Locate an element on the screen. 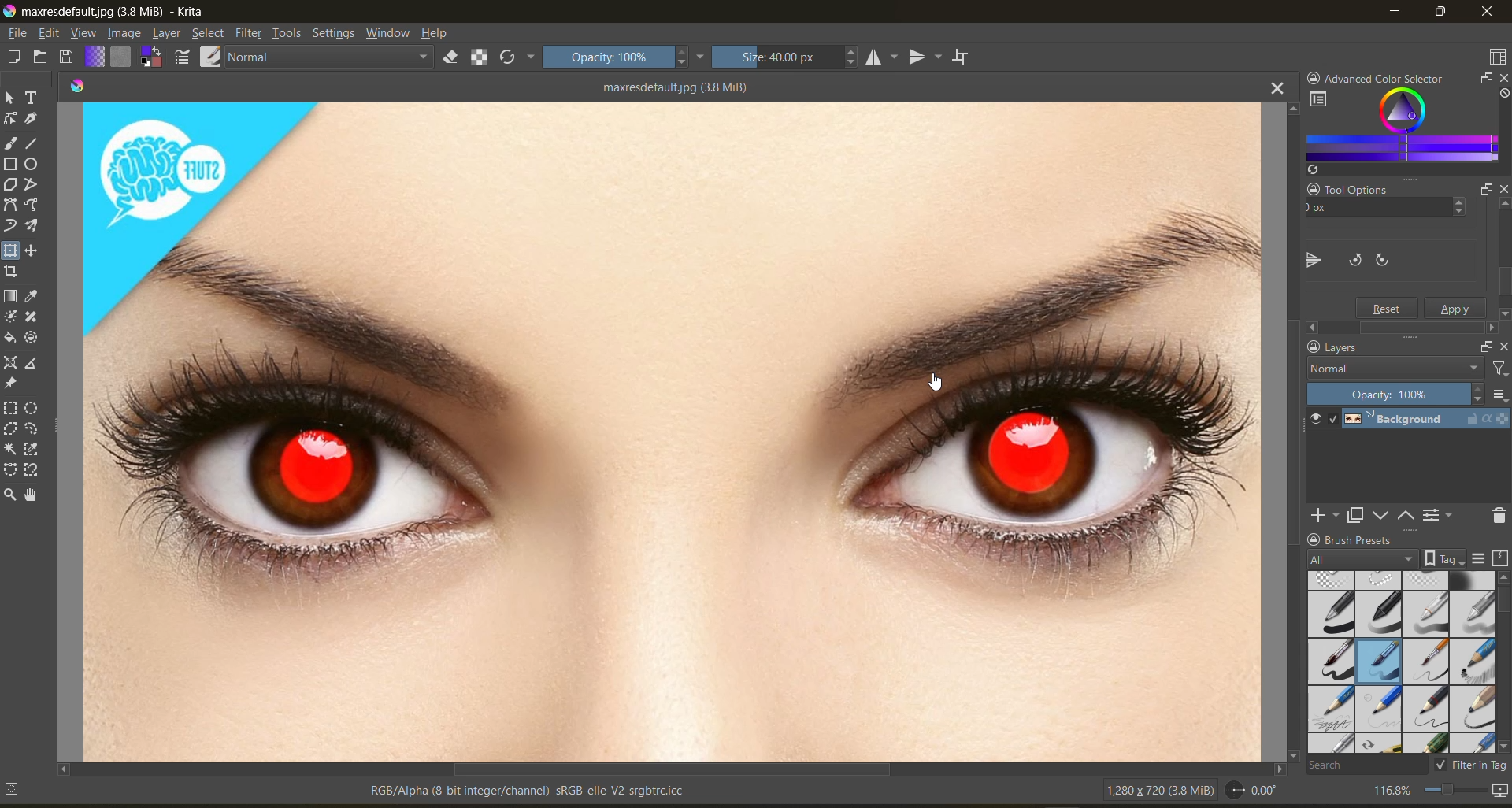 The width and height of the screenshot is (1512, 808). zoom factor is located at coordinates (1393, 790).